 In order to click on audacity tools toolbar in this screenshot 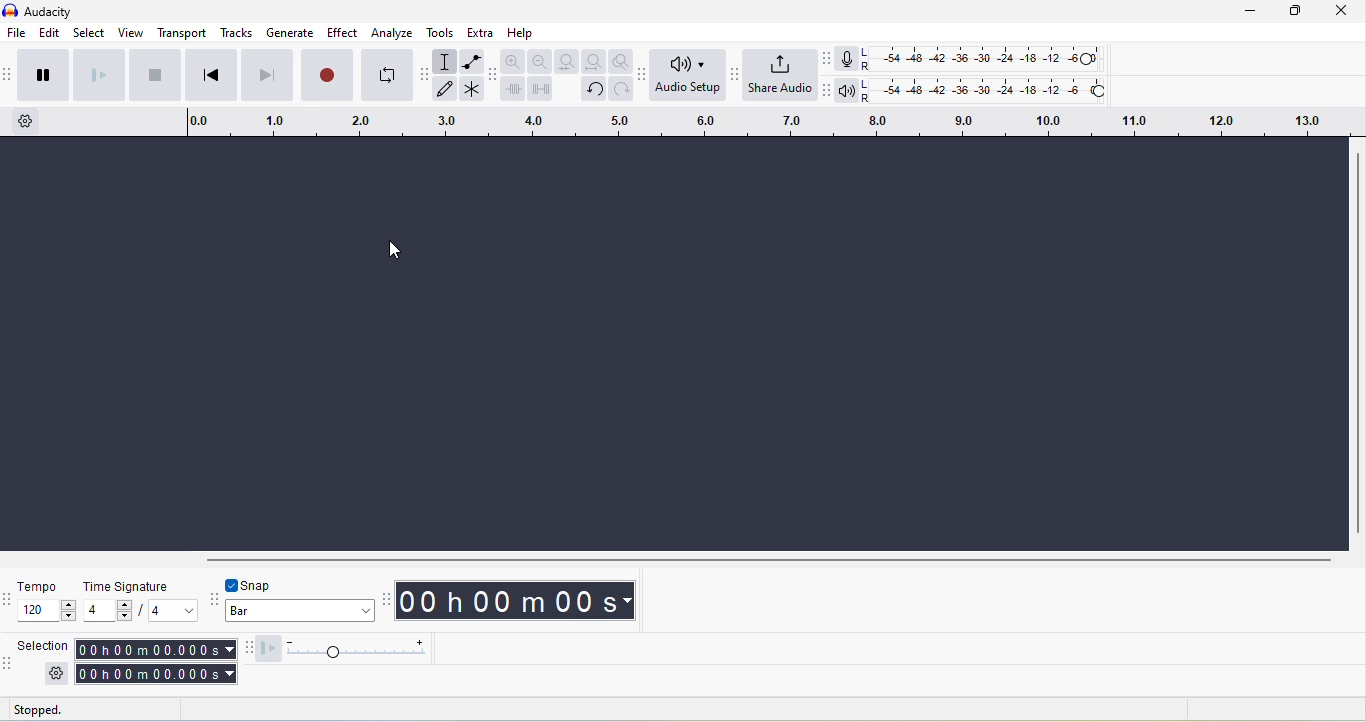, I will do `click(424, 76)`.